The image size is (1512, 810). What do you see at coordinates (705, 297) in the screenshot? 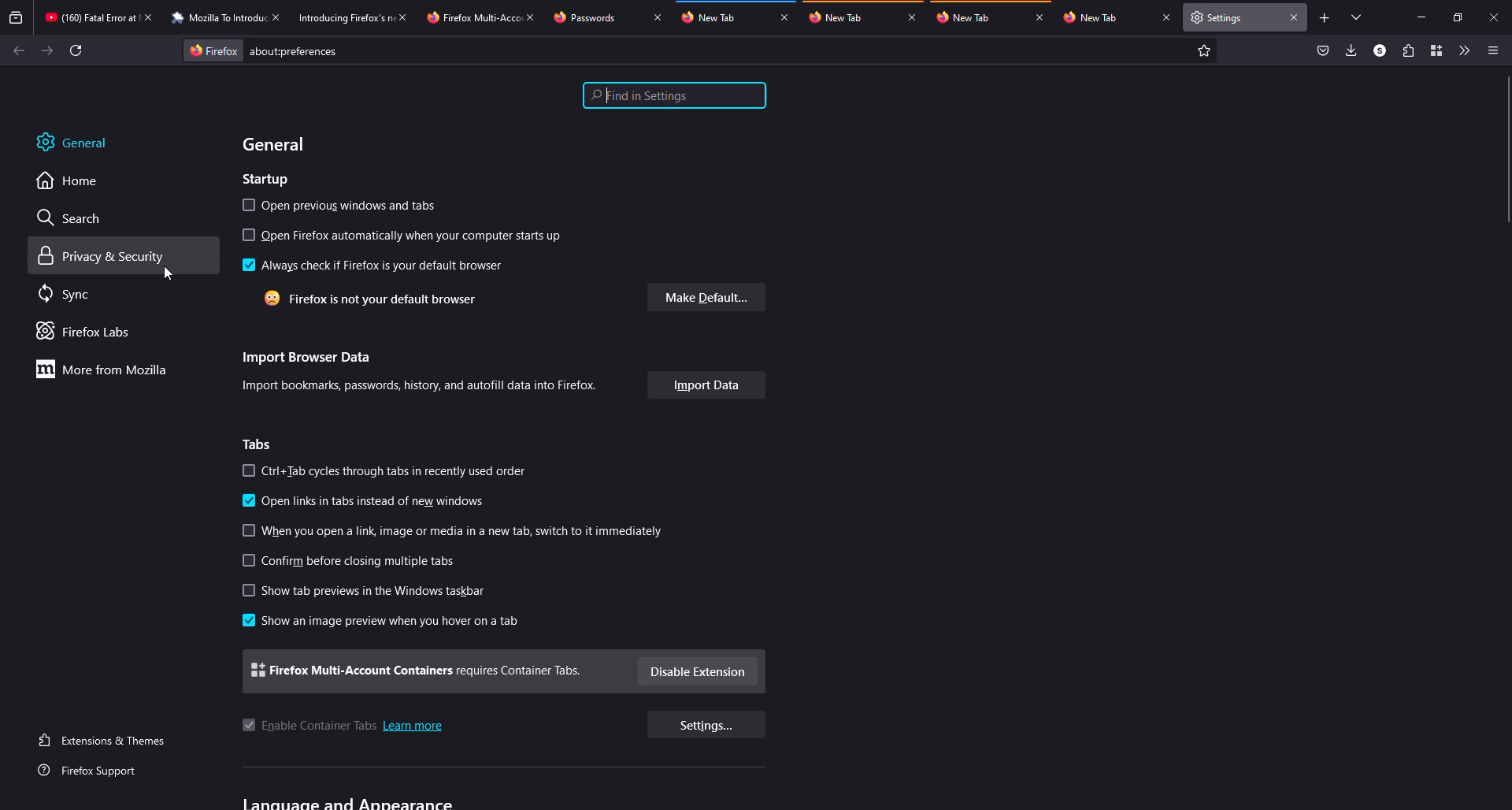
I see `make default` at bounding box center [705, 297].